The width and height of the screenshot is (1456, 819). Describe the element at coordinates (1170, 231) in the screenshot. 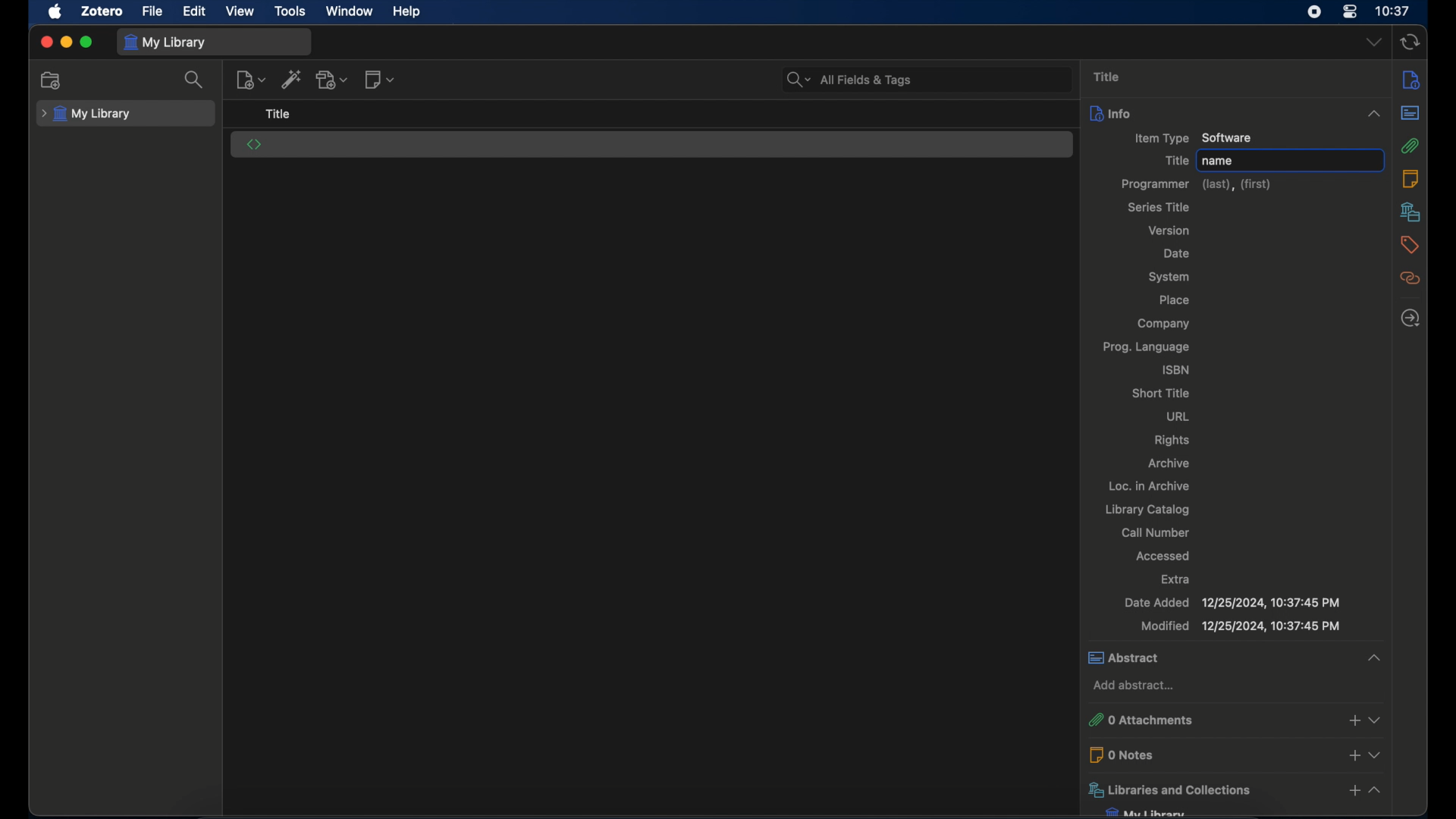

I see `version` at that location.